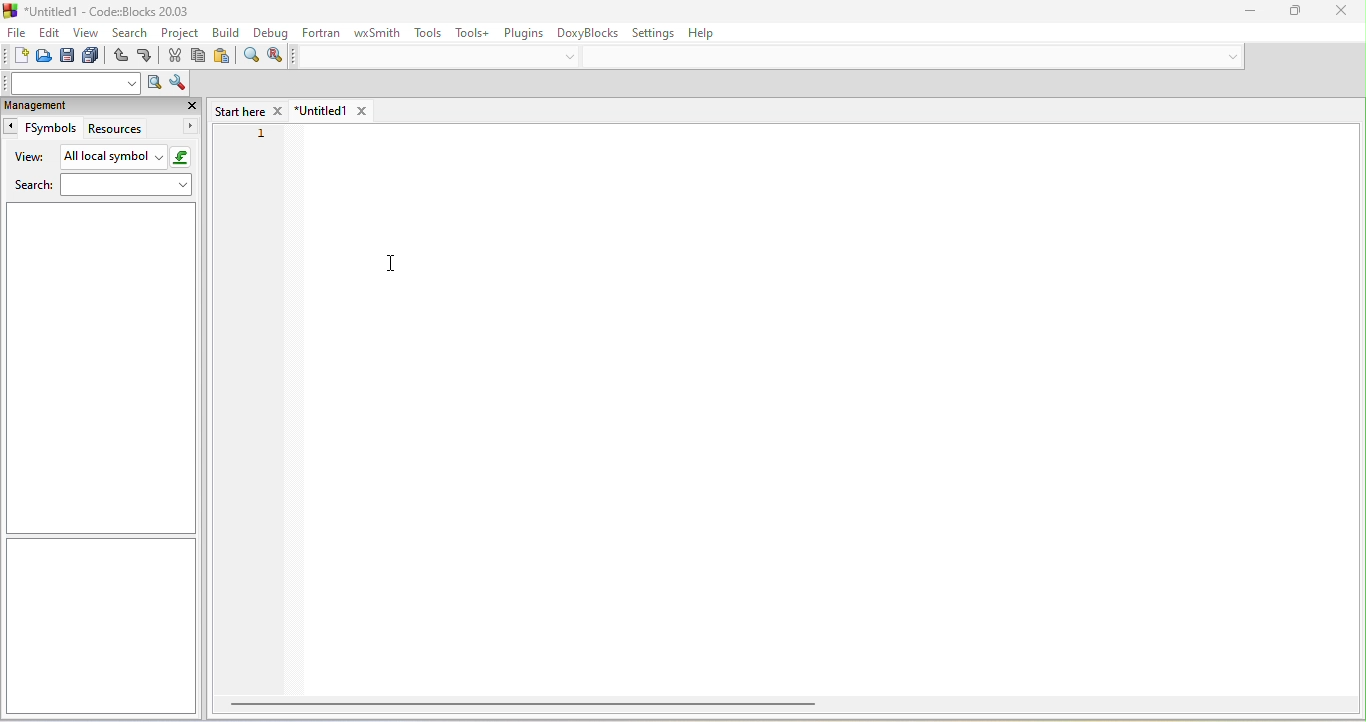 The image size is (1366, 722). Describe the element at coordinates (16, 57) in the screenshot. I see `new` at that location.